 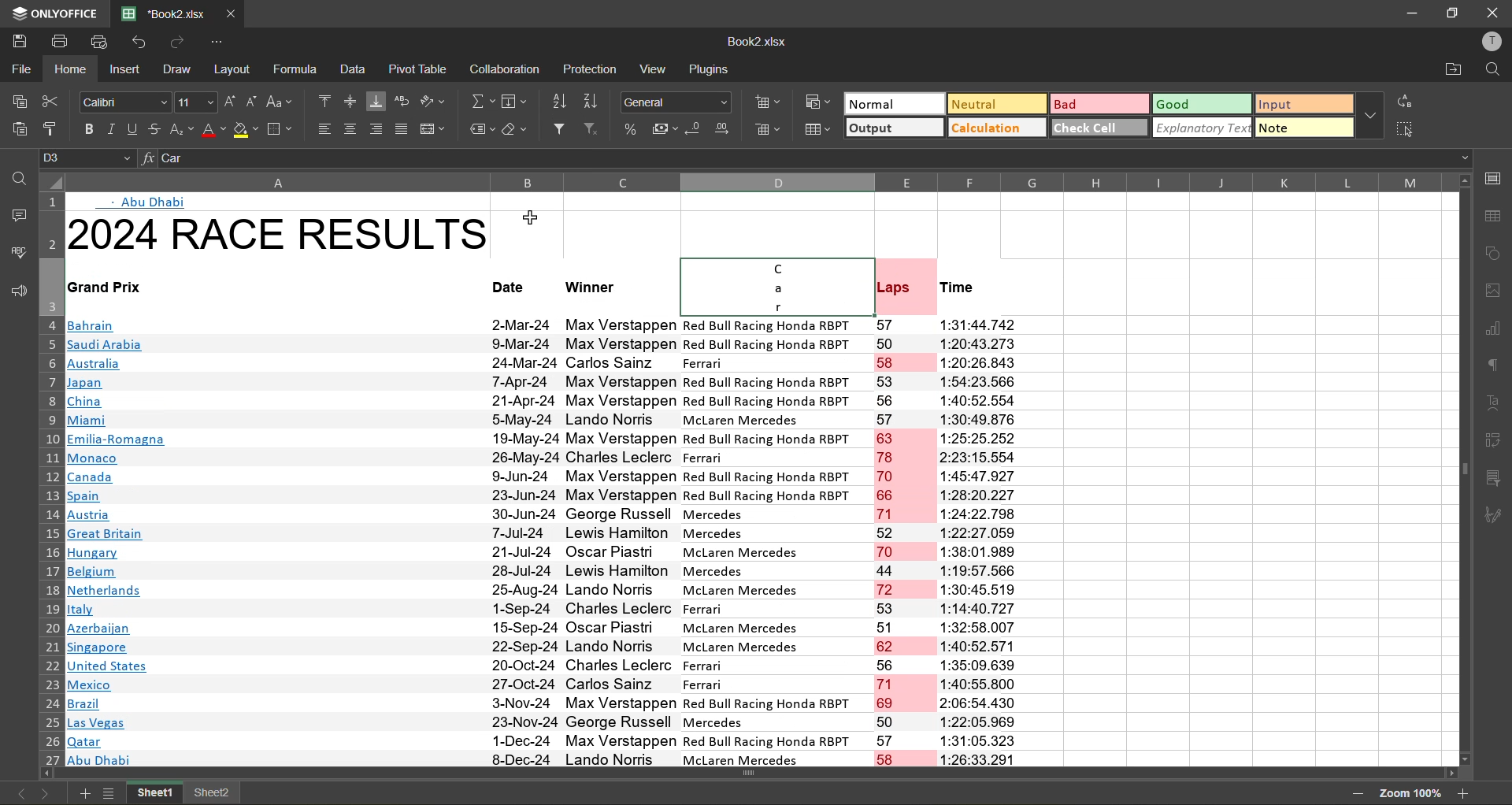 What do you see at coordinates (403, 100) in the screenshot?
I see `wrap text` at bounding box center [403, 100].